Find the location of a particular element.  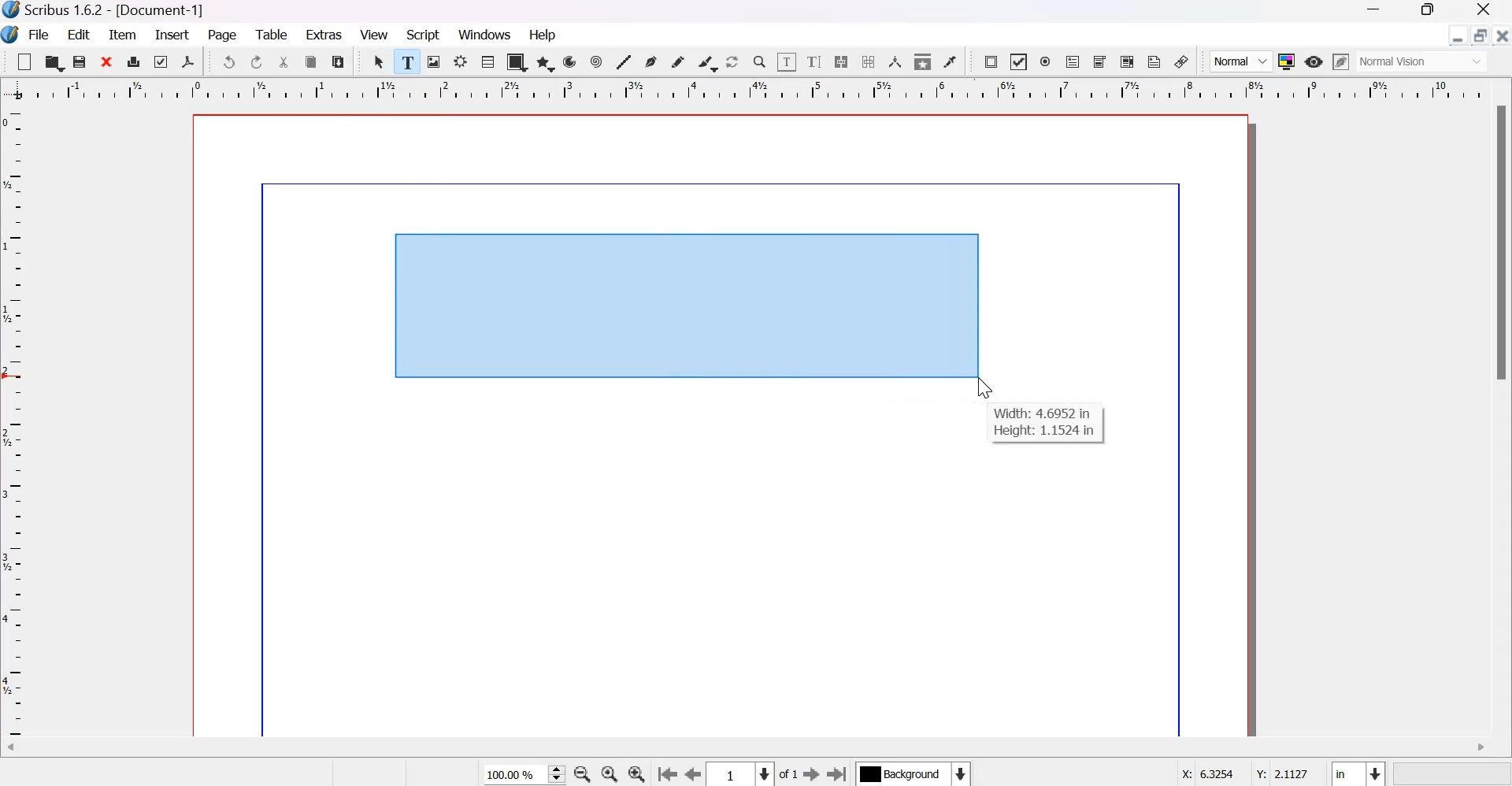

Scroll right is located at coordinates (1480, 748).